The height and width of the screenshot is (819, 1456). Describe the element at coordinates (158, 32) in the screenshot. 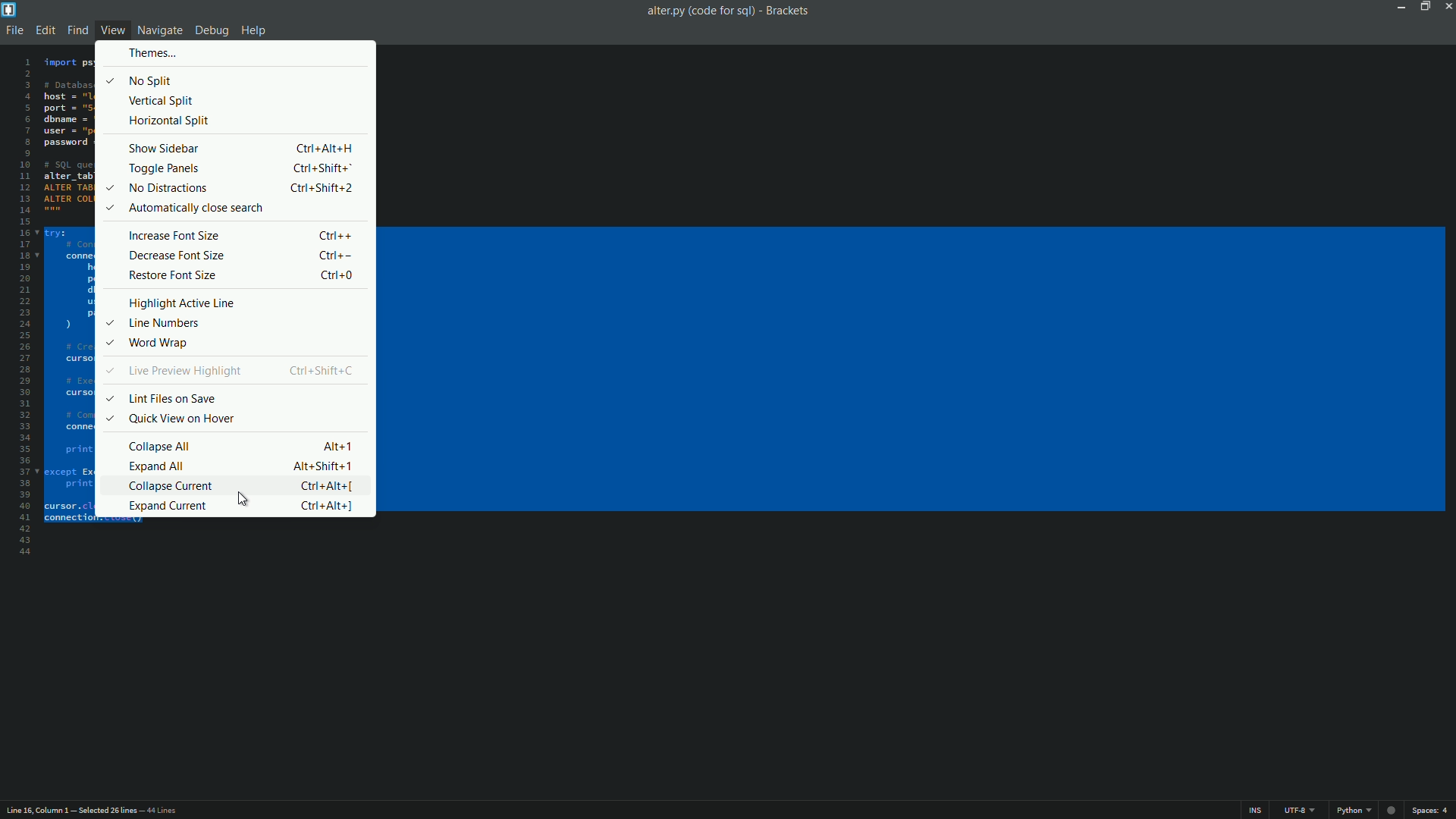

I see `navigate menu` at that location.